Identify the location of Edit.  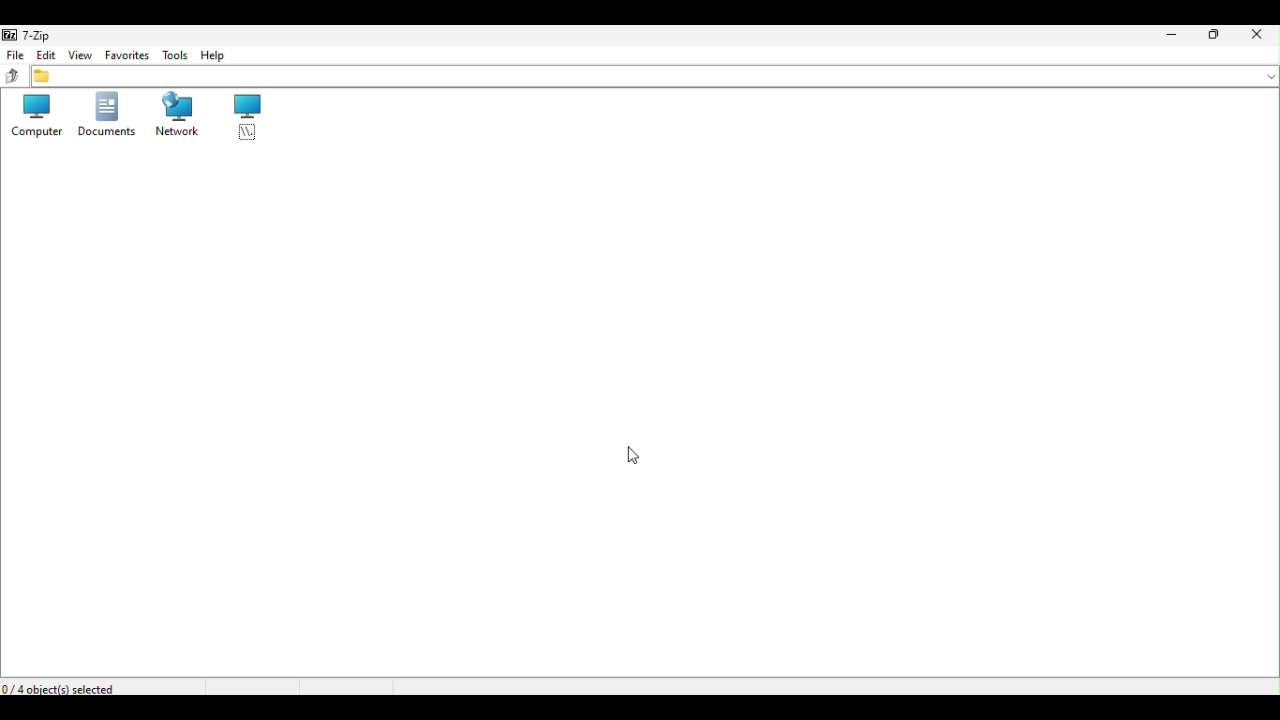
(47, 57).